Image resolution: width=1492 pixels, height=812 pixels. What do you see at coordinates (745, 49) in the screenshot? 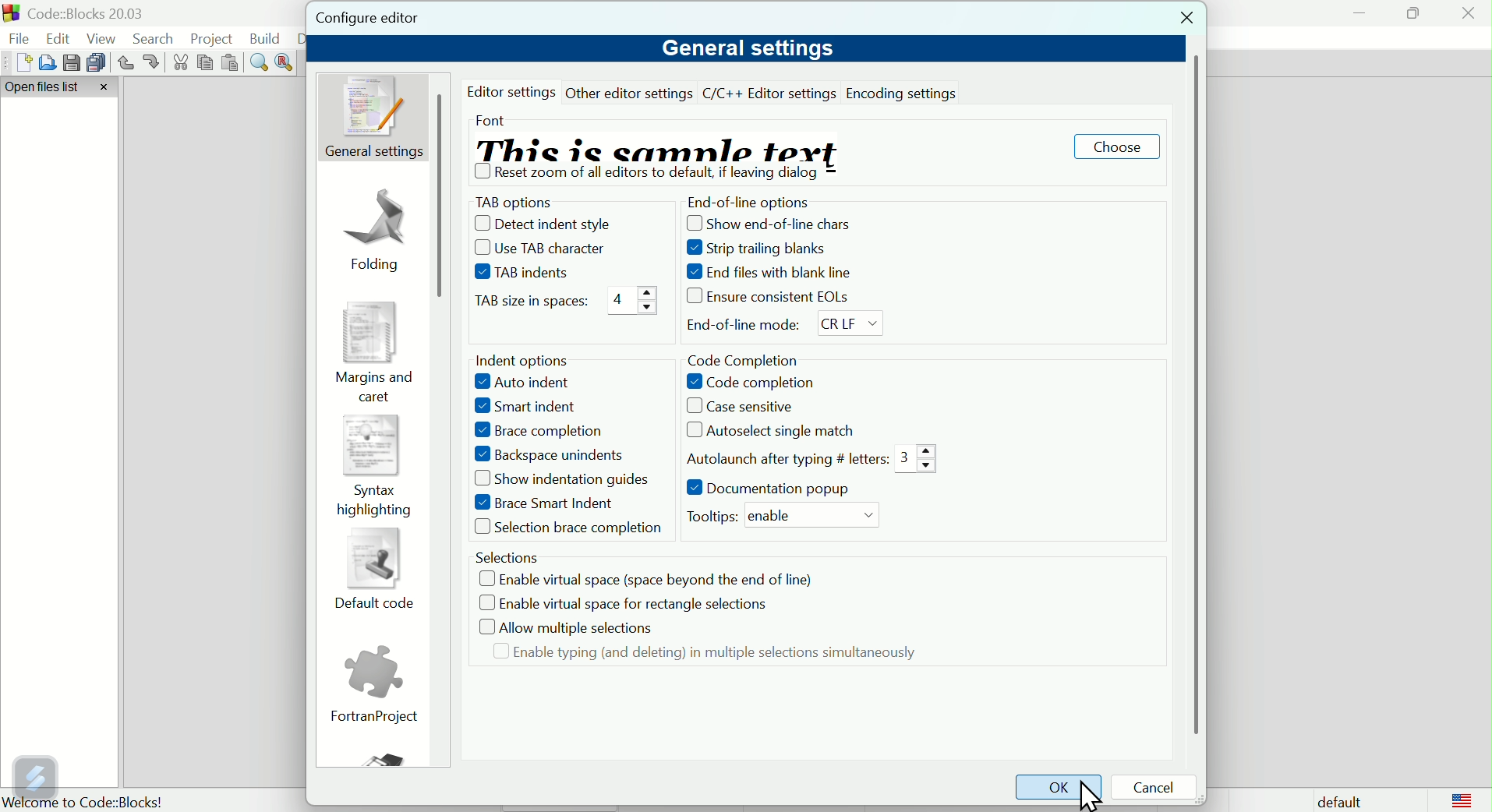
I see `General Settings` at bounding box center [745, 49].